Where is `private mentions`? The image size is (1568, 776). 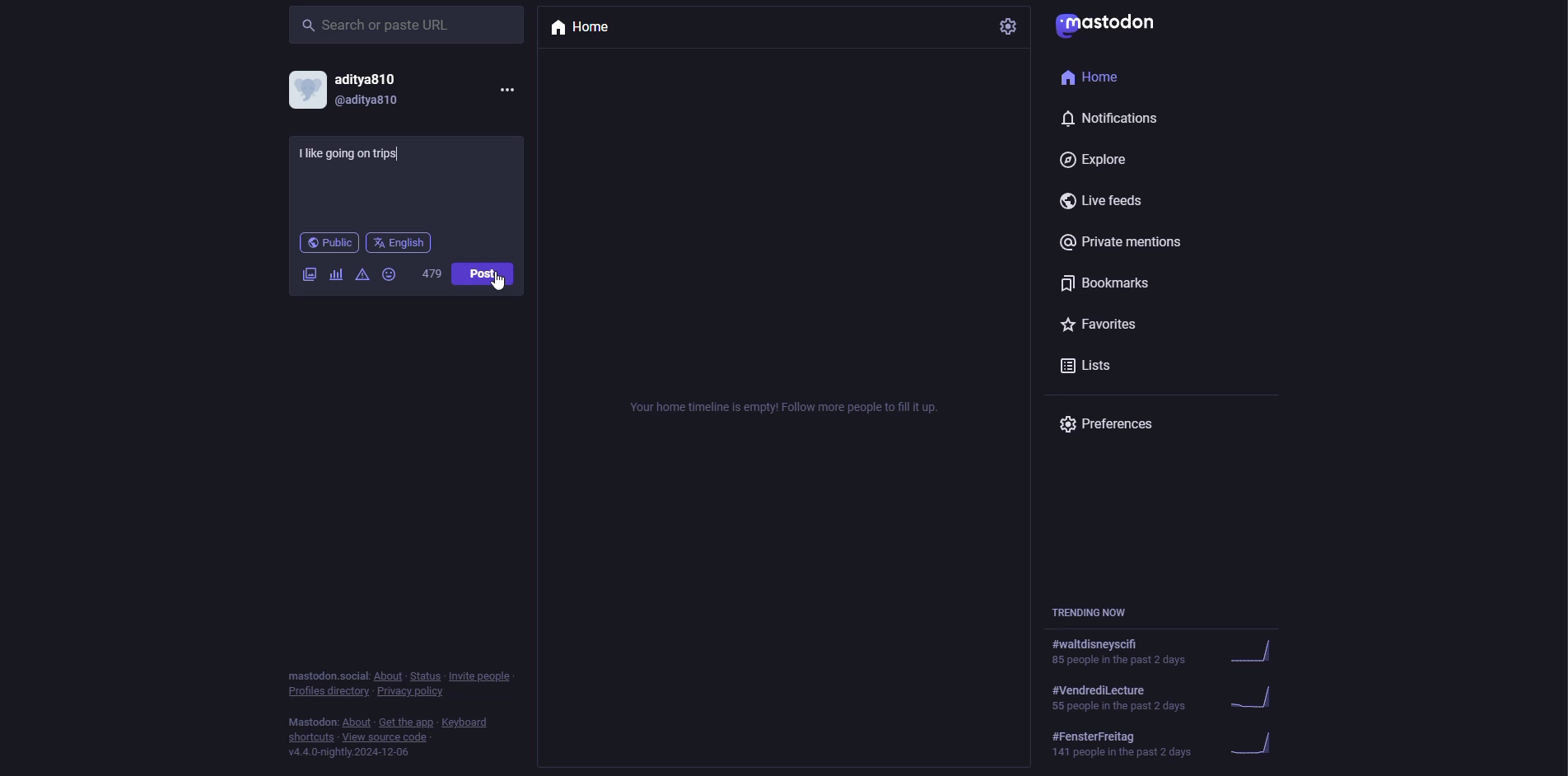 private mentions is located at coordinates (1133, 245).